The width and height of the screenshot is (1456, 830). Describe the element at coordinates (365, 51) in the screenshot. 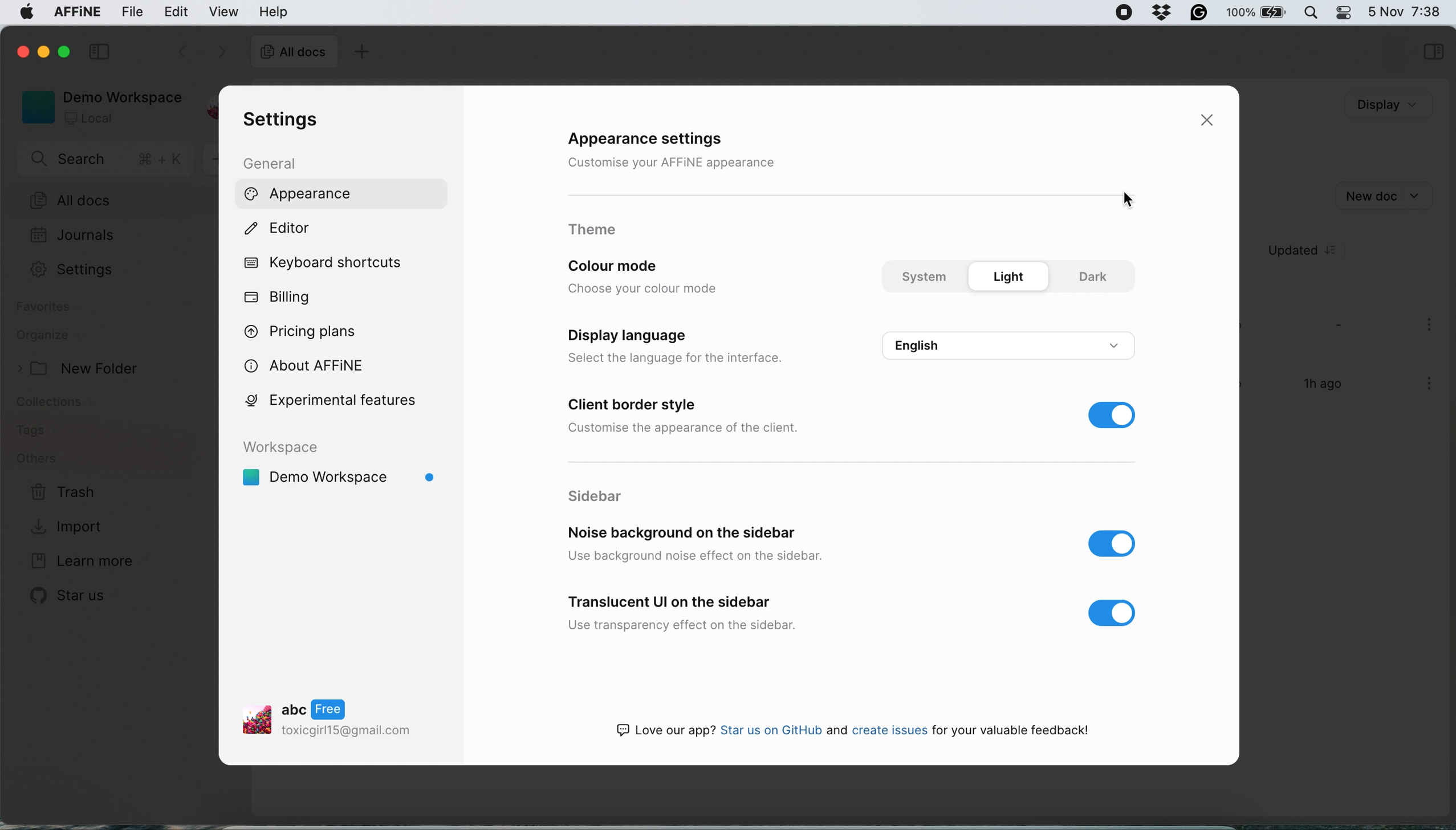

I see `new tab` at that location.